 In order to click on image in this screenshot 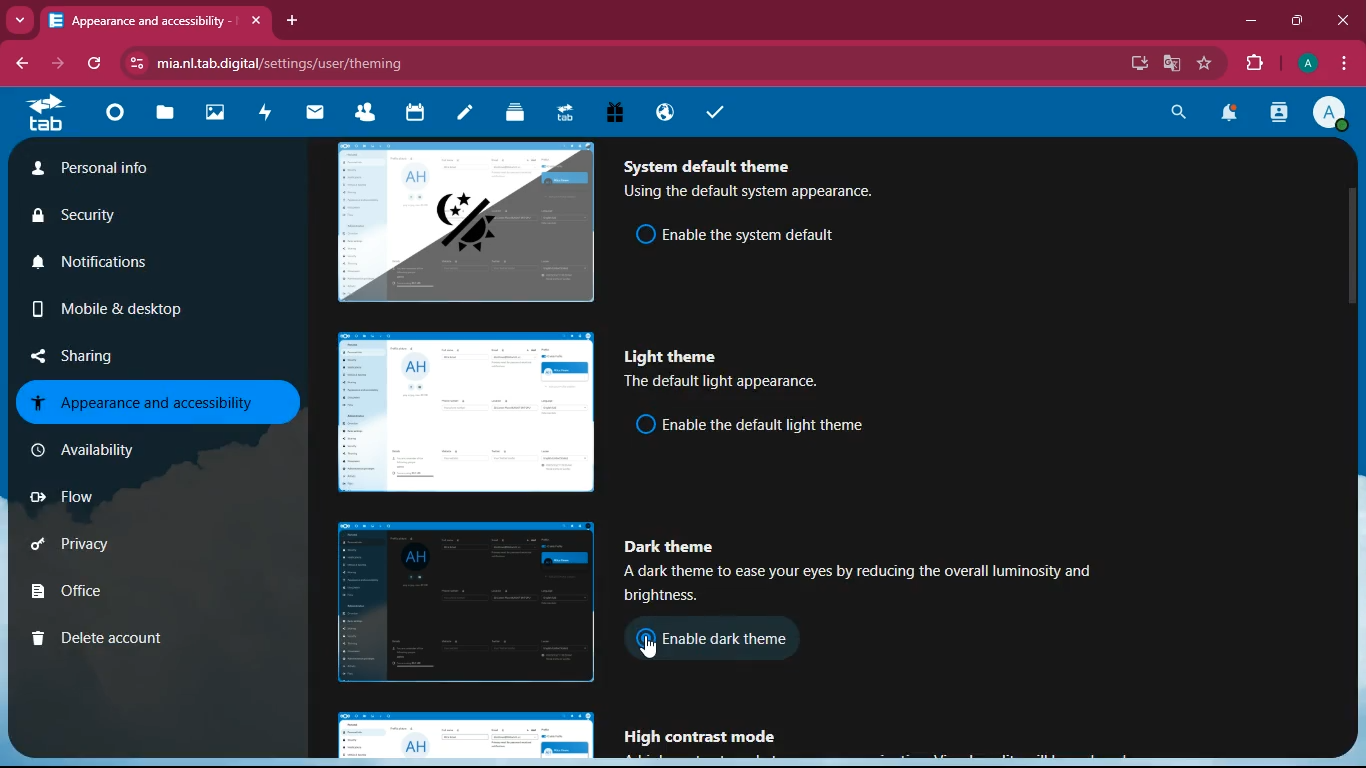, I will do `click(461, 601)`.